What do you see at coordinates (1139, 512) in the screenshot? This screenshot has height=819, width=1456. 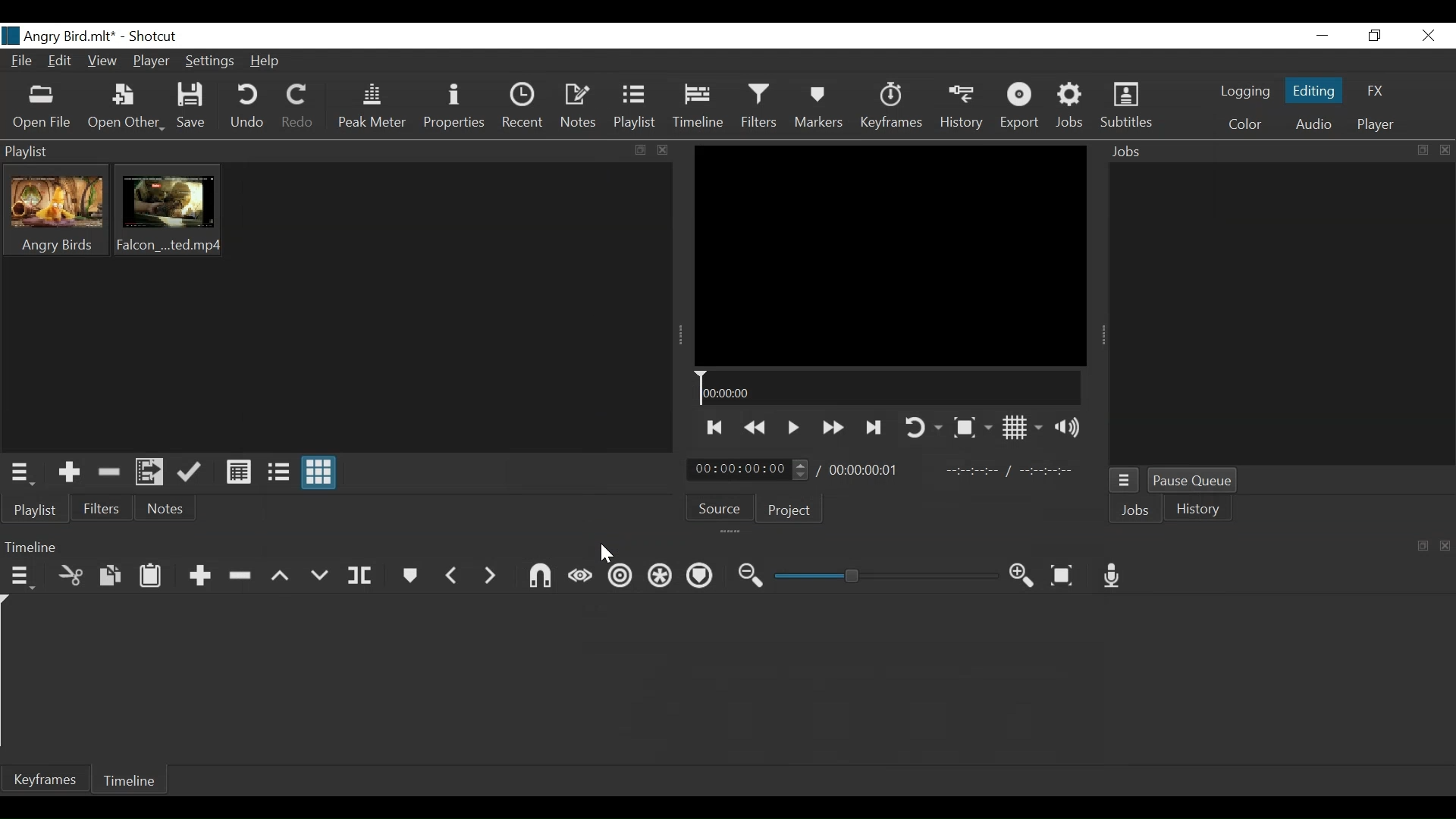 I see `Jobs` at bounding box center [1139, 512].